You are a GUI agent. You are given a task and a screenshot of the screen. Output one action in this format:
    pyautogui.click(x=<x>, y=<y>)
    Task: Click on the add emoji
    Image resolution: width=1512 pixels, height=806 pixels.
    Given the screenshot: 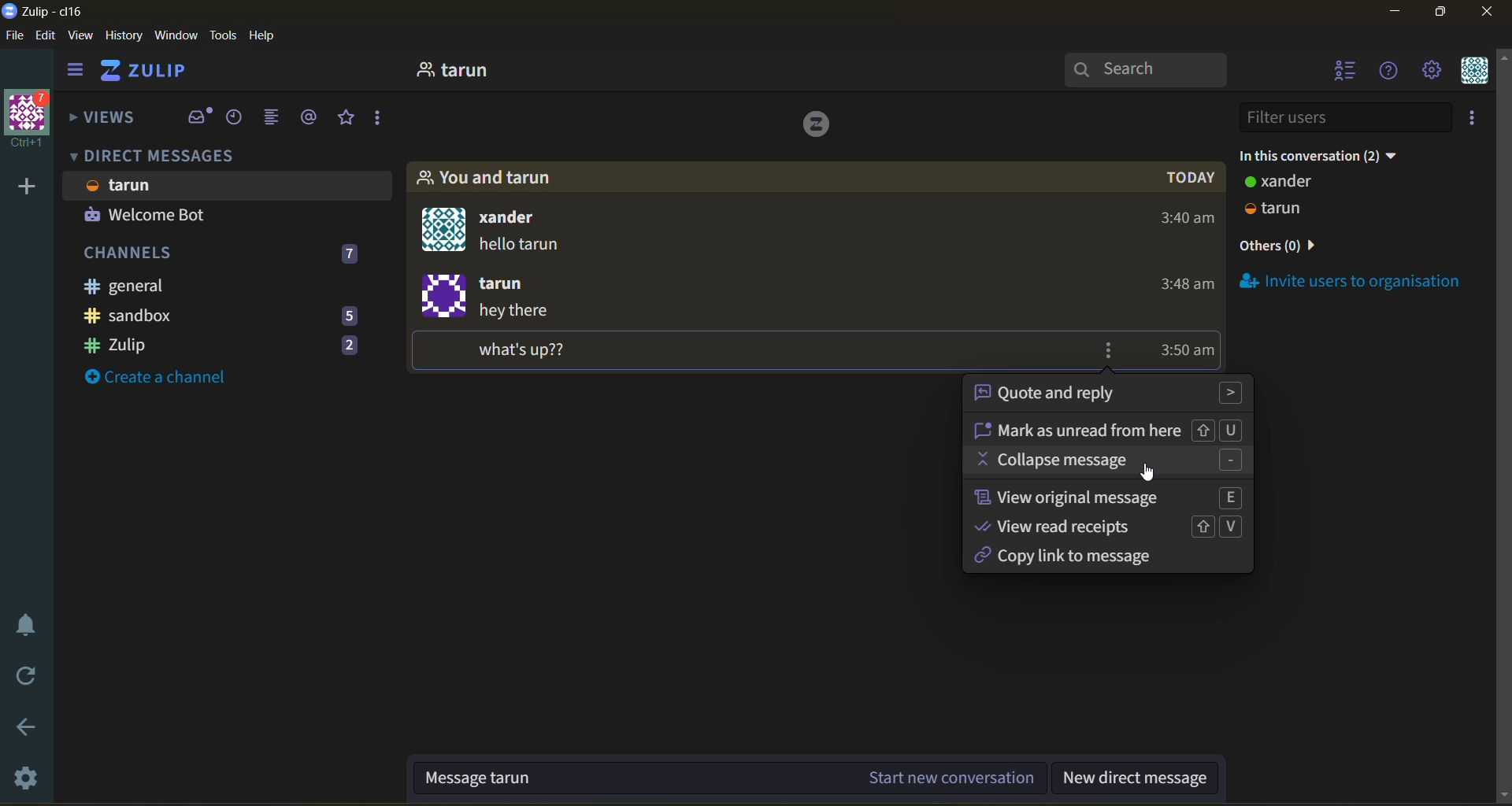 What is the action you would take?
    pyautogui.click(x=1085, y=350)
    